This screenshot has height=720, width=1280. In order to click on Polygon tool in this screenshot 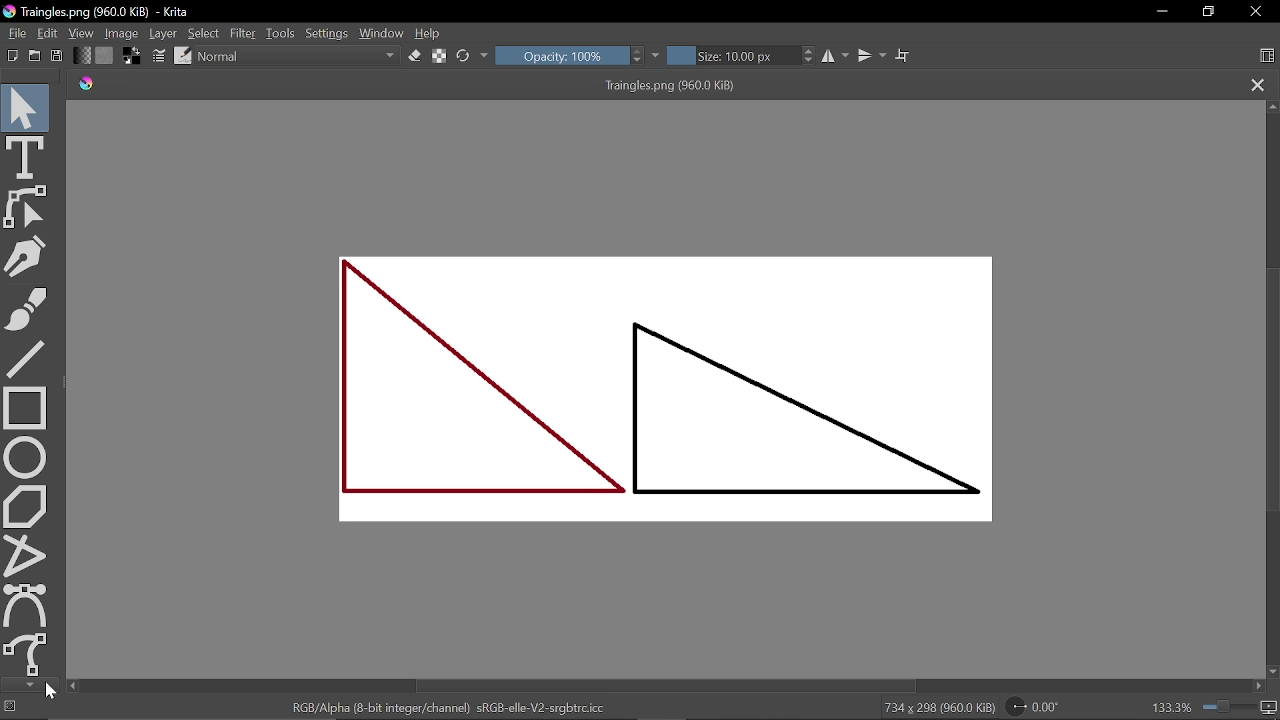, I will do `click(24, 507)`.